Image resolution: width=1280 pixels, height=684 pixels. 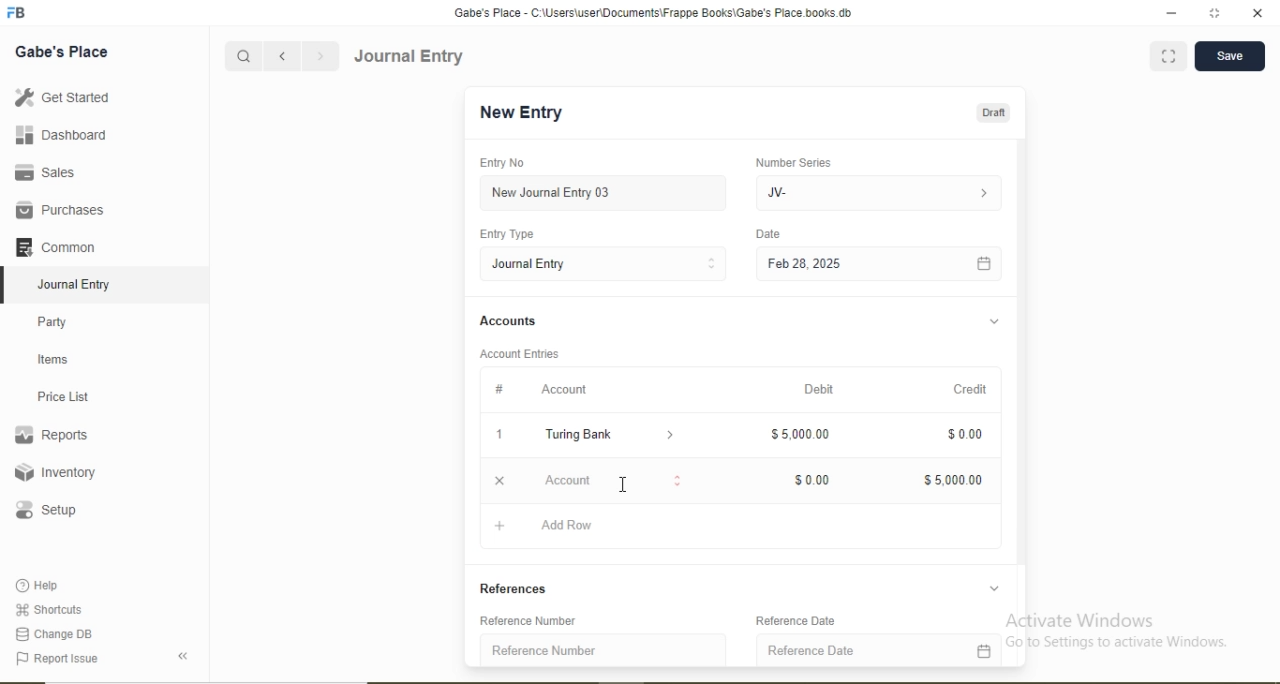 What do you see at coordinates (813, 481) in the screenshot?
I see `$0.00` at bounding box center [813, 481].